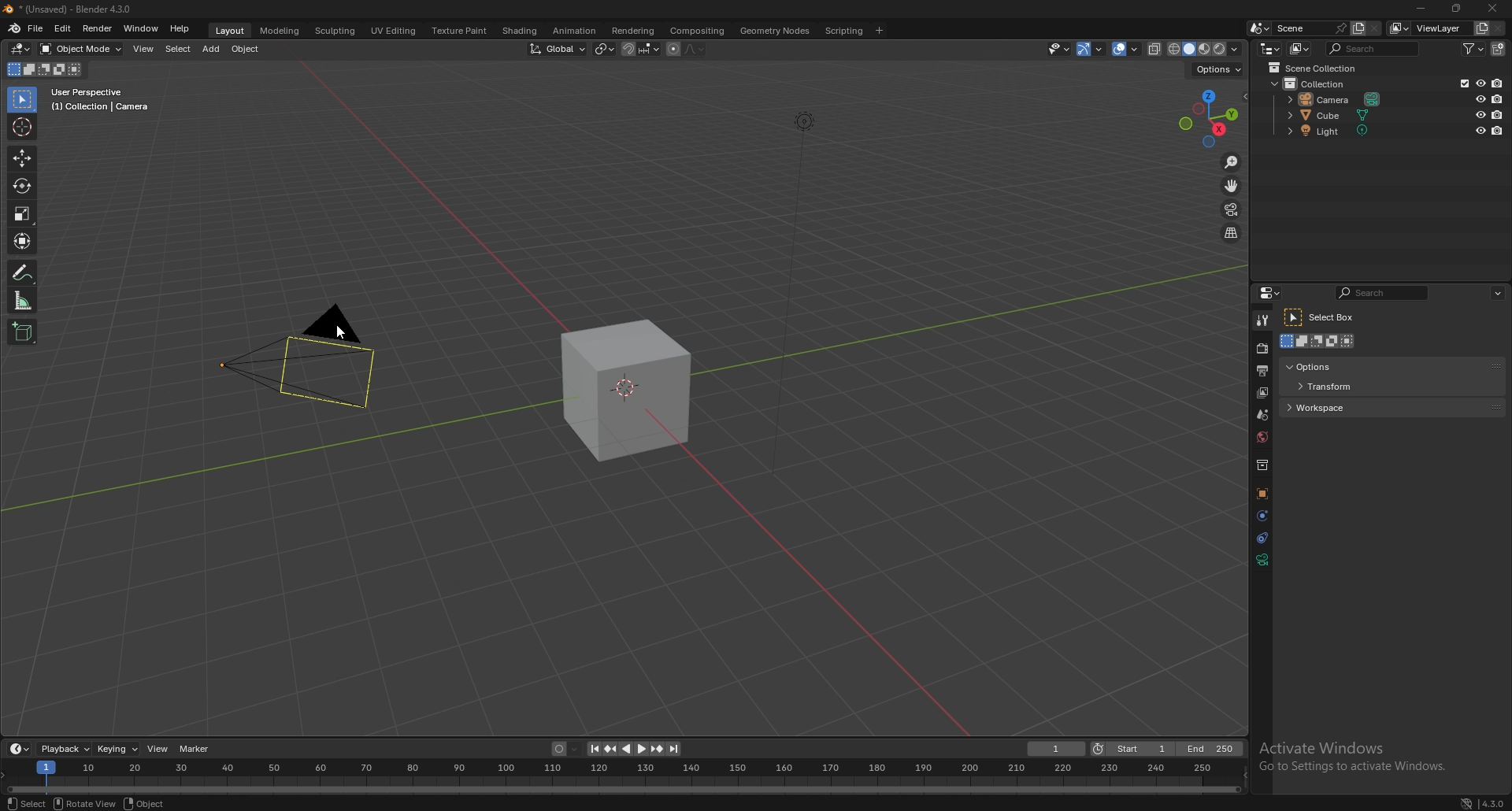 This screenshot has width=1512, height=811. Describe the element at coordinates (24, 272) in the screenshot. I see `annotate` at that location.